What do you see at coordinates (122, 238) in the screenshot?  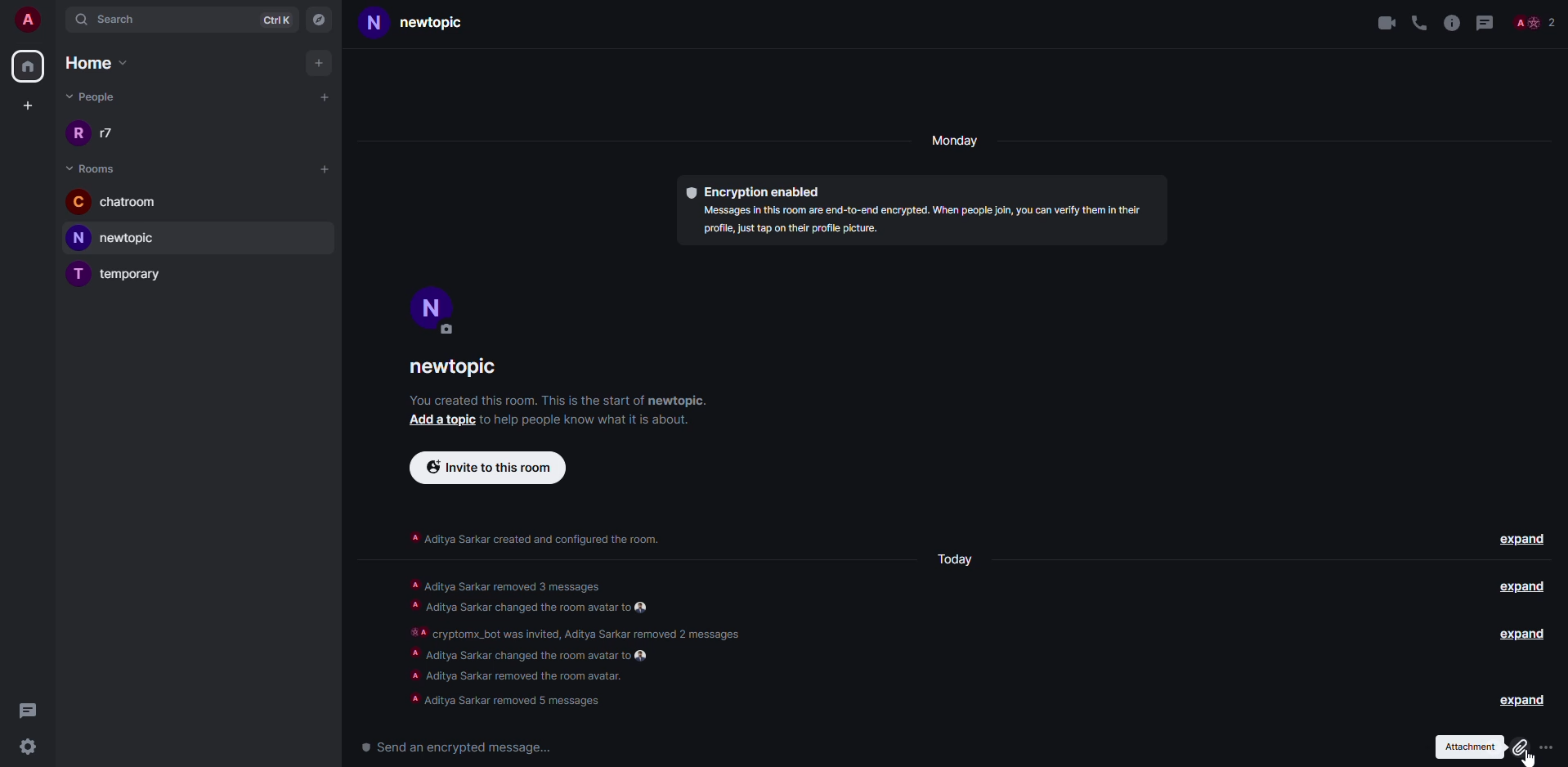 I see `room` at bounding box center [122, 238].